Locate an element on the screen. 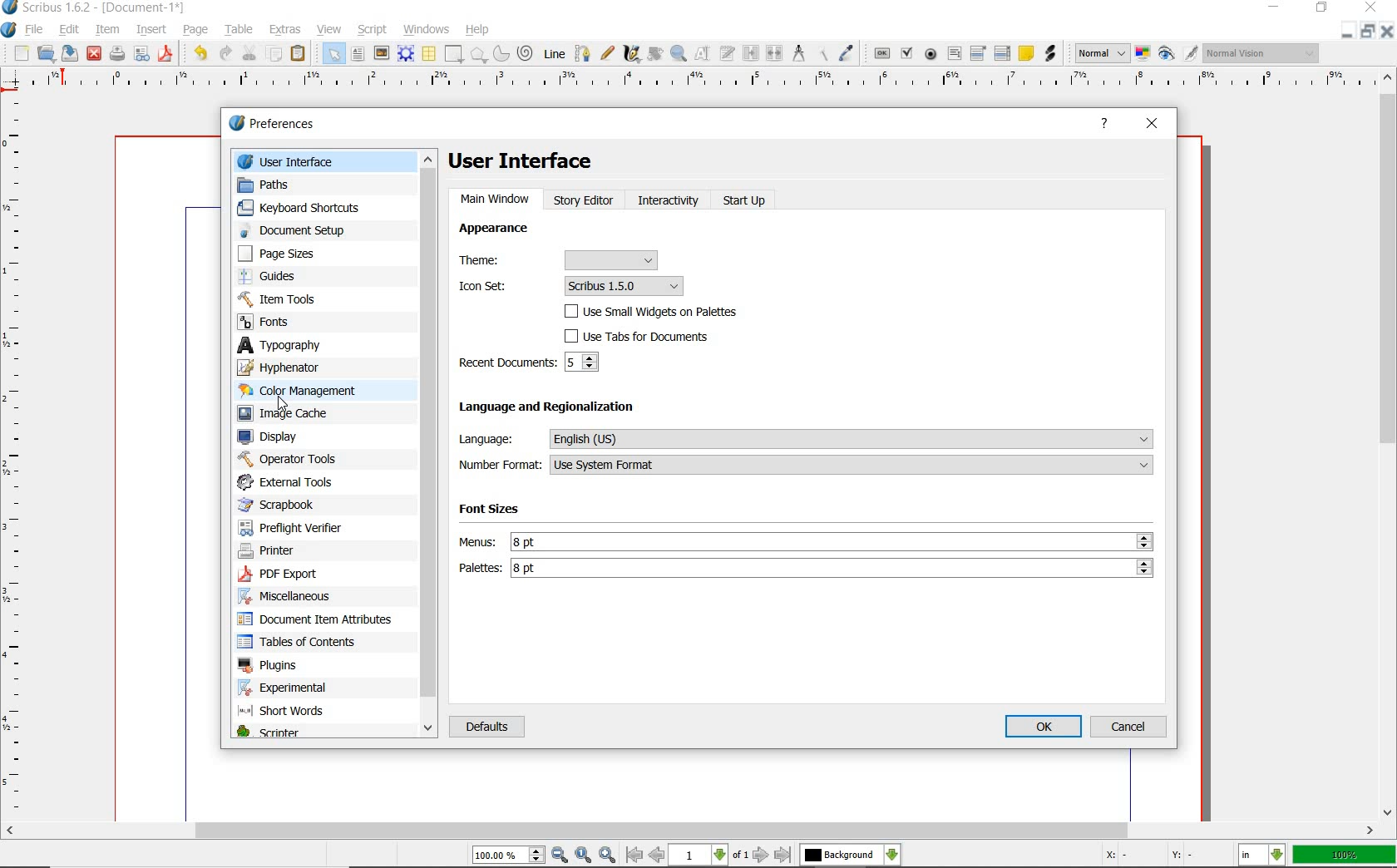  select the current unit is located at coordinates (1263, 856).